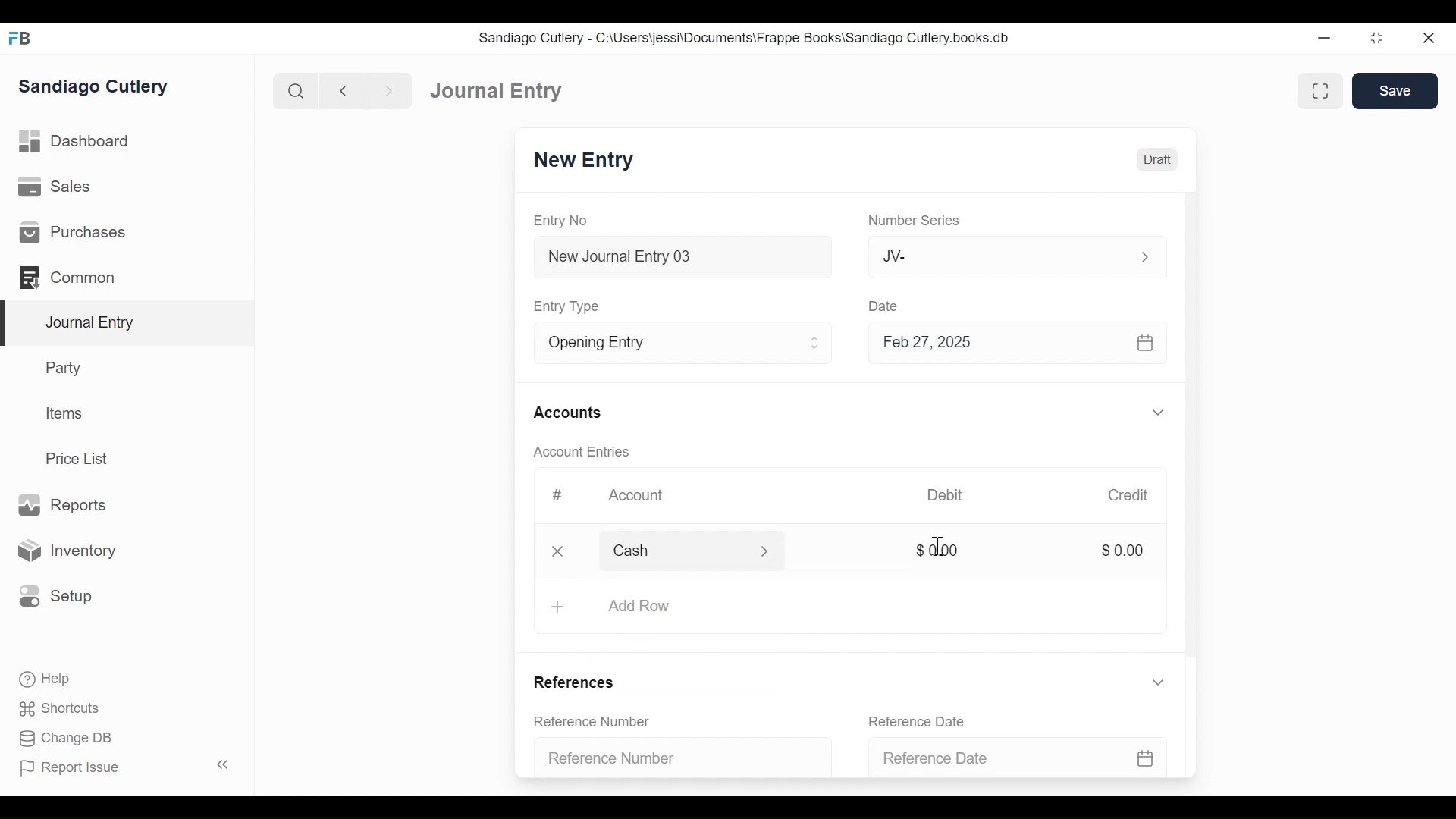 The width and height of the screenshot is (1456, 819). Describe the element at coordinates (560, 551) in the screenshot. I see `Close` at that location.